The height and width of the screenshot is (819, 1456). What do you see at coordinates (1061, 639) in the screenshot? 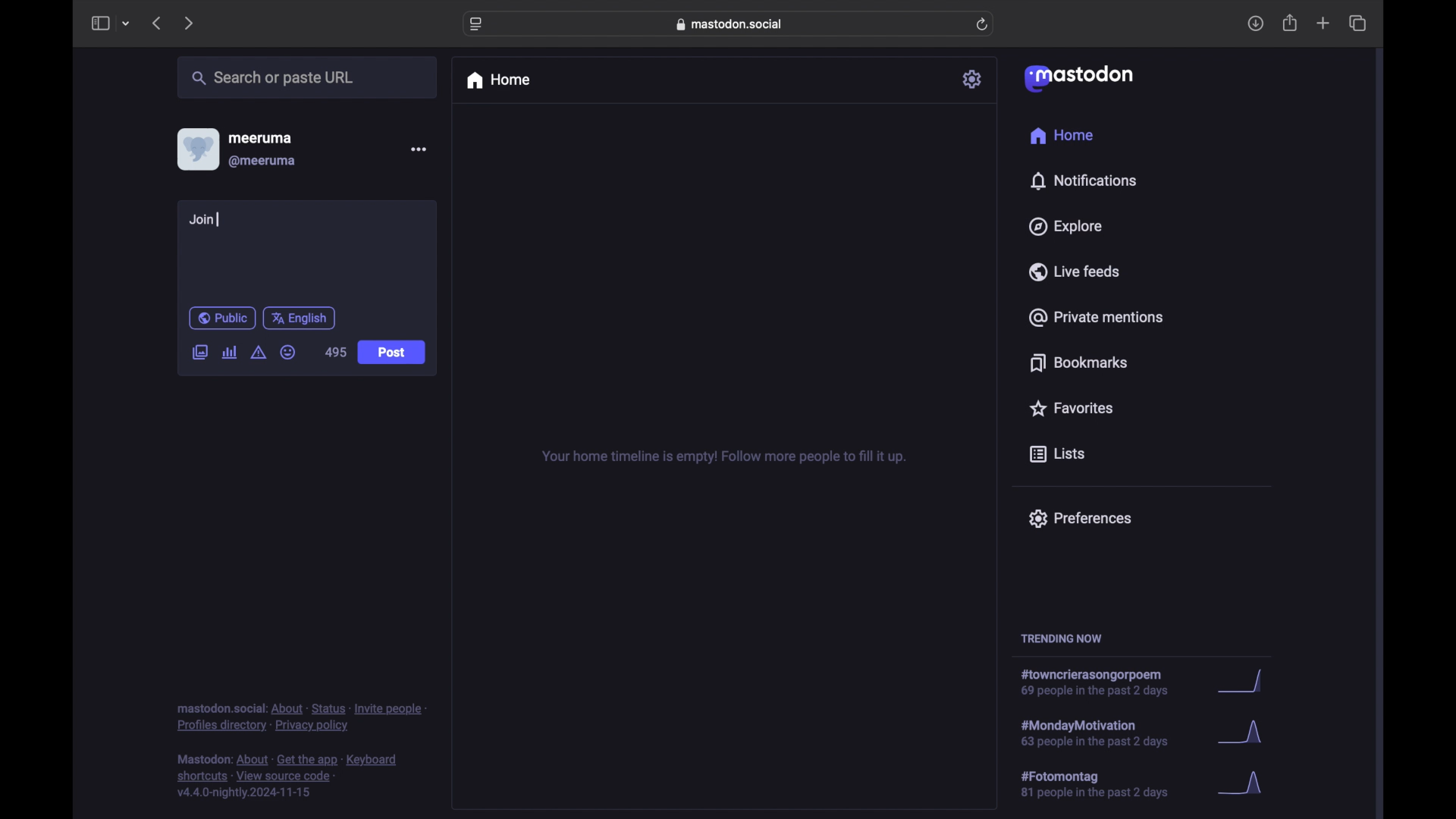
I see `trending now` at bounding box center [1061, 639].